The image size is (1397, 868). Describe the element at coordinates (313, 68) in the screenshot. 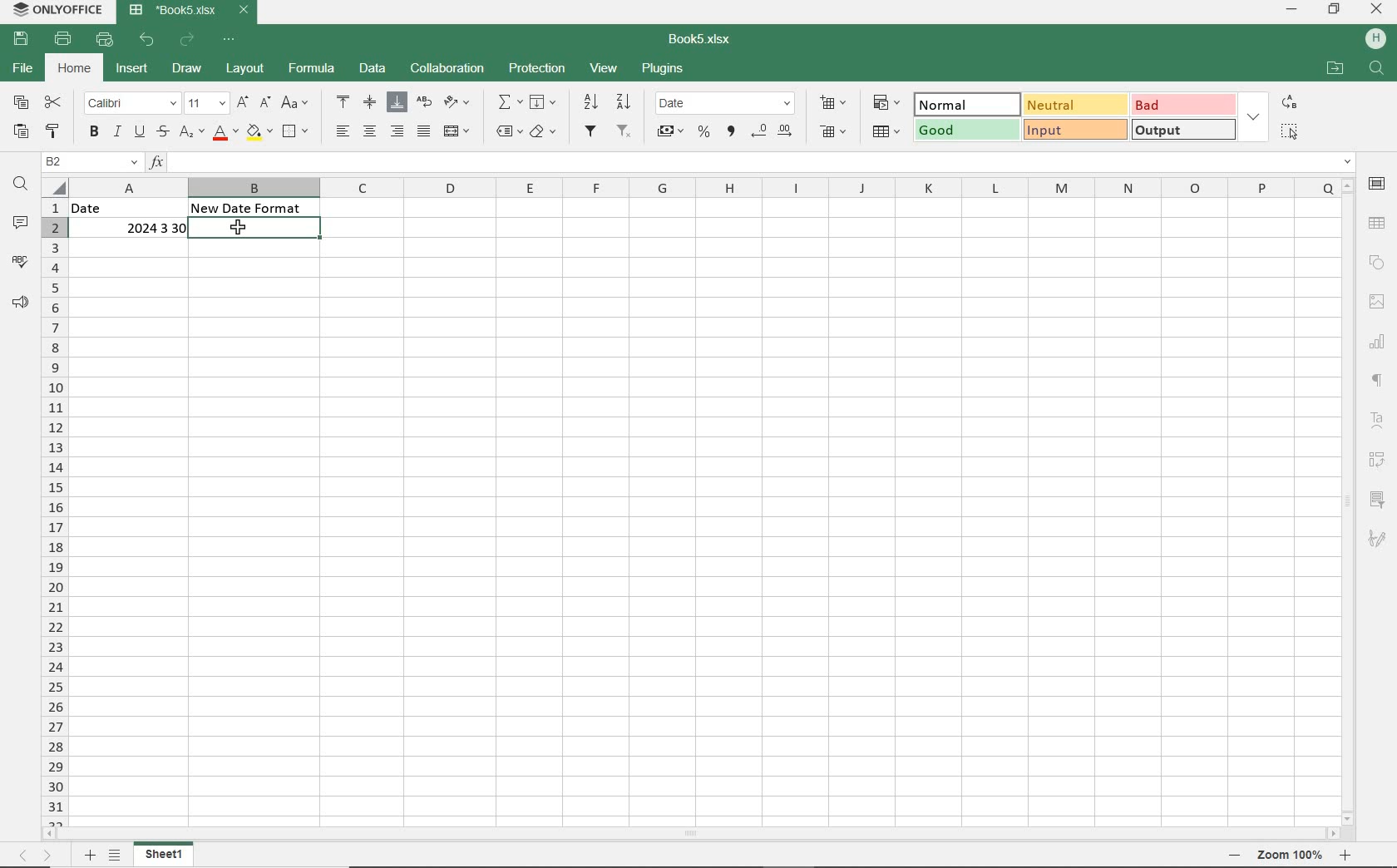

I see `FORMULA` at that location.